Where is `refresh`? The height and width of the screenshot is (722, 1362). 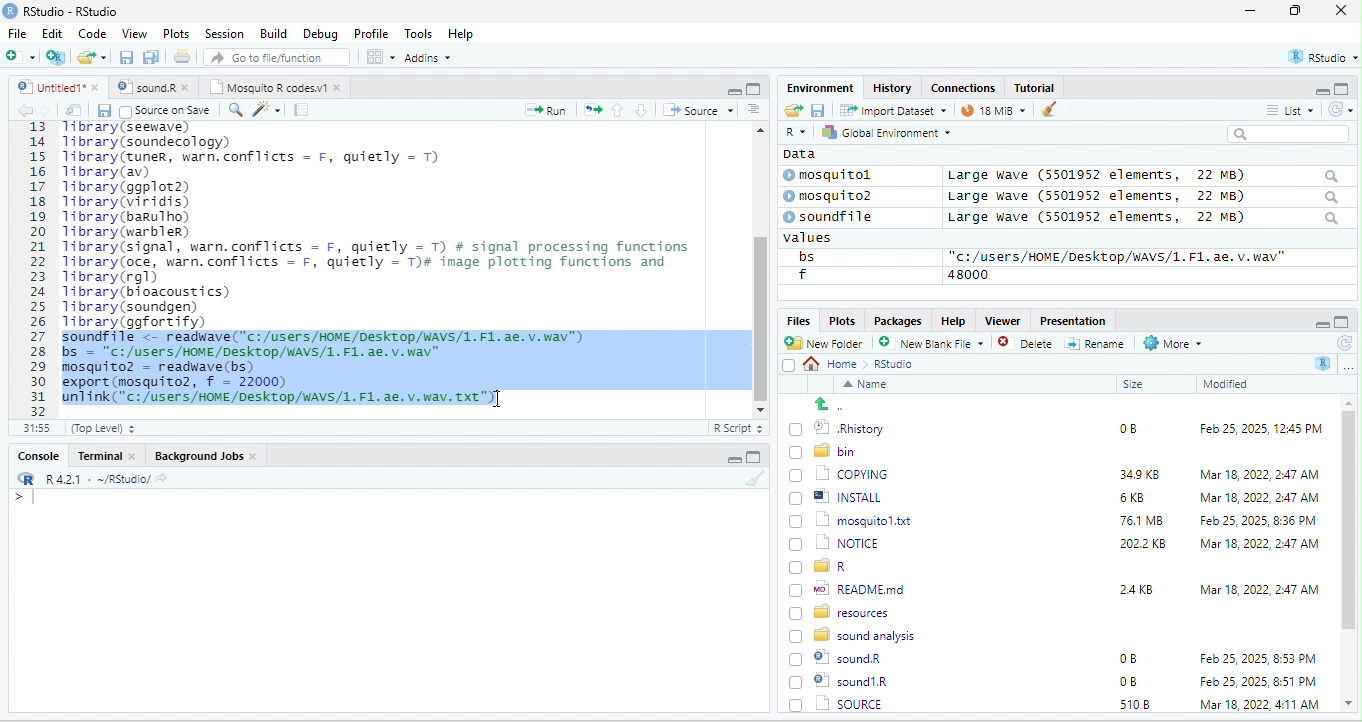
refresh is located at coordinates (1337, 109).